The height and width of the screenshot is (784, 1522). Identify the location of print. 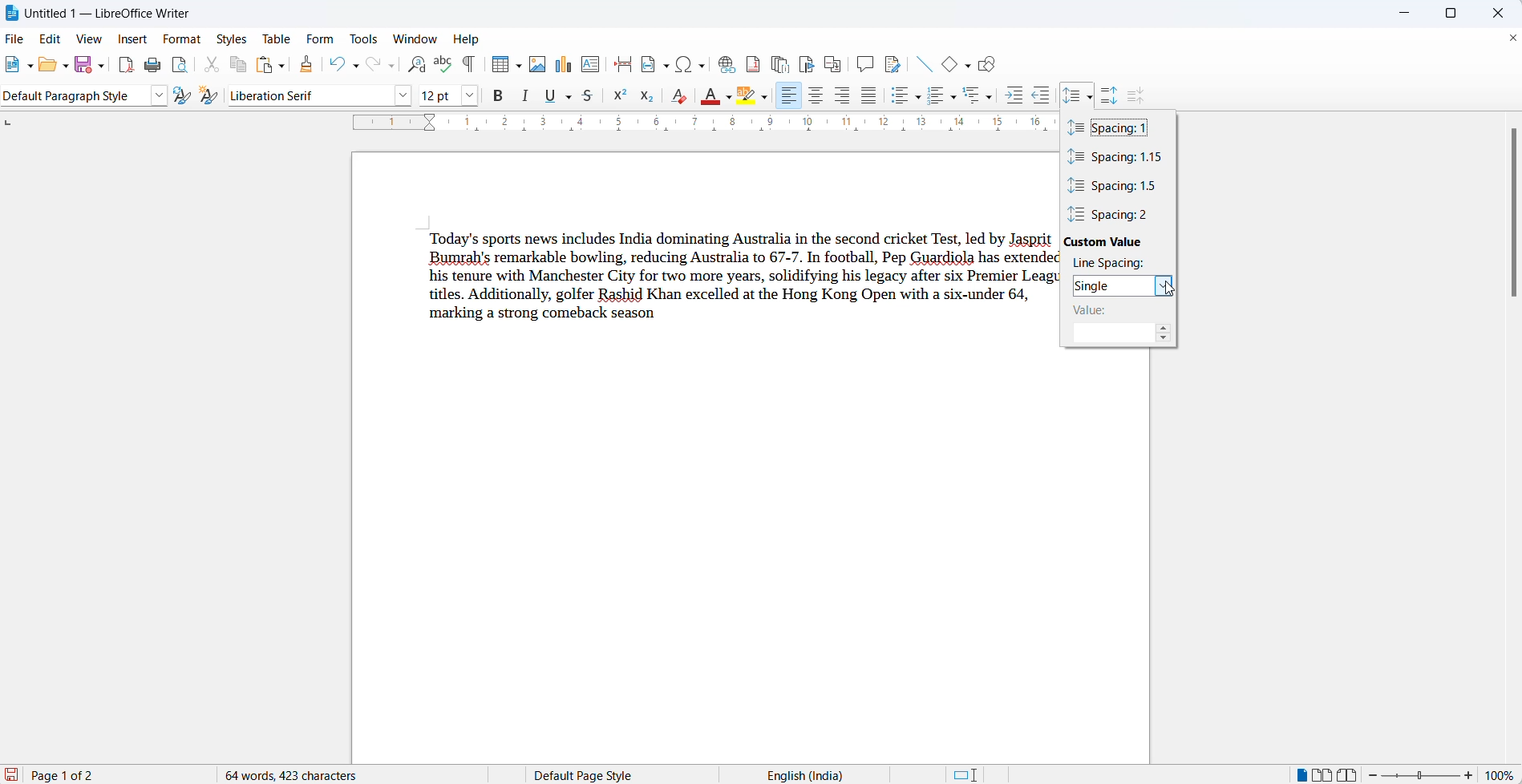
(154, 63).